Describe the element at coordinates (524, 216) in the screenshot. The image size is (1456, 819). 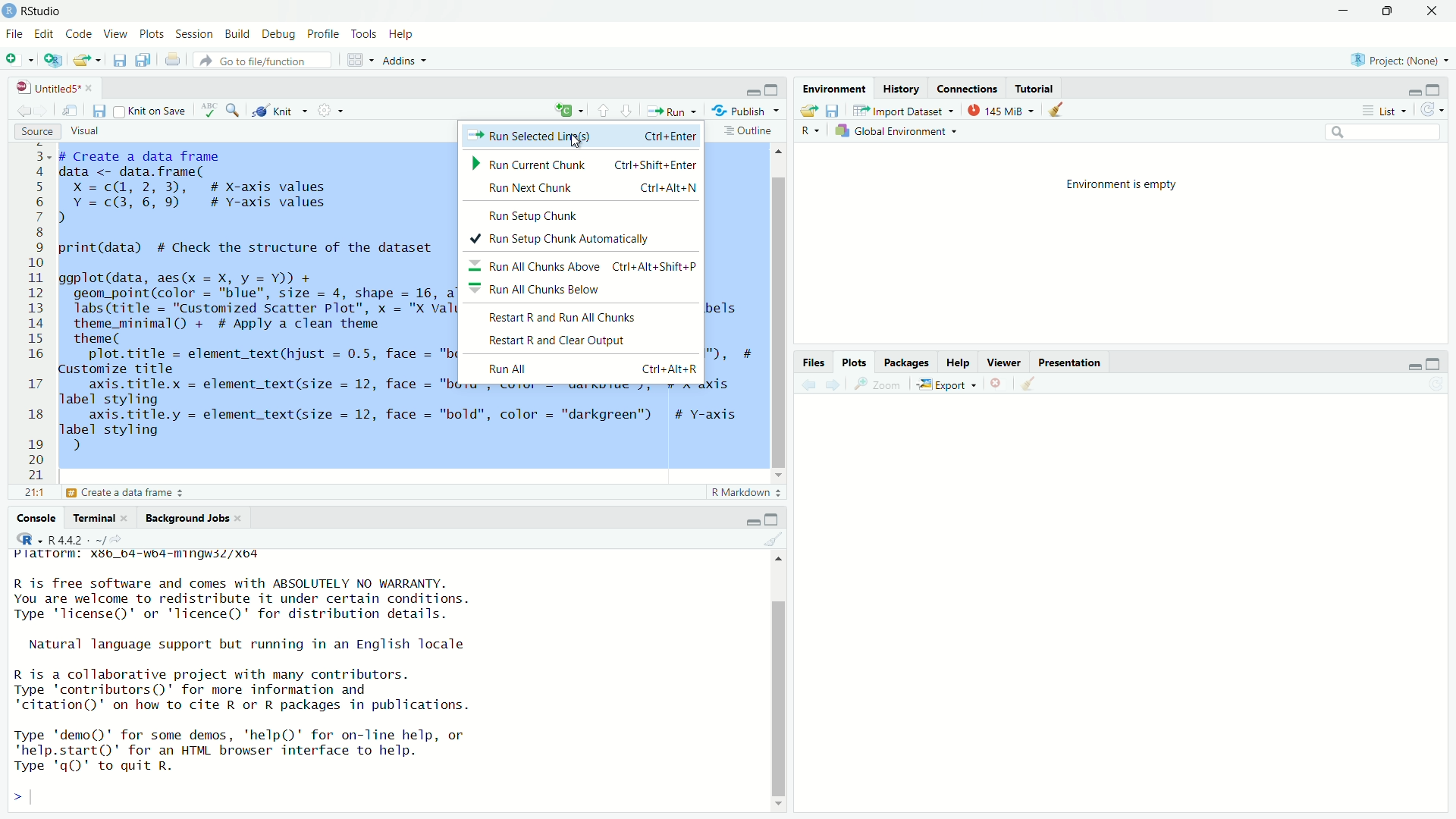
I see `Run Setup Chunk` at that location.